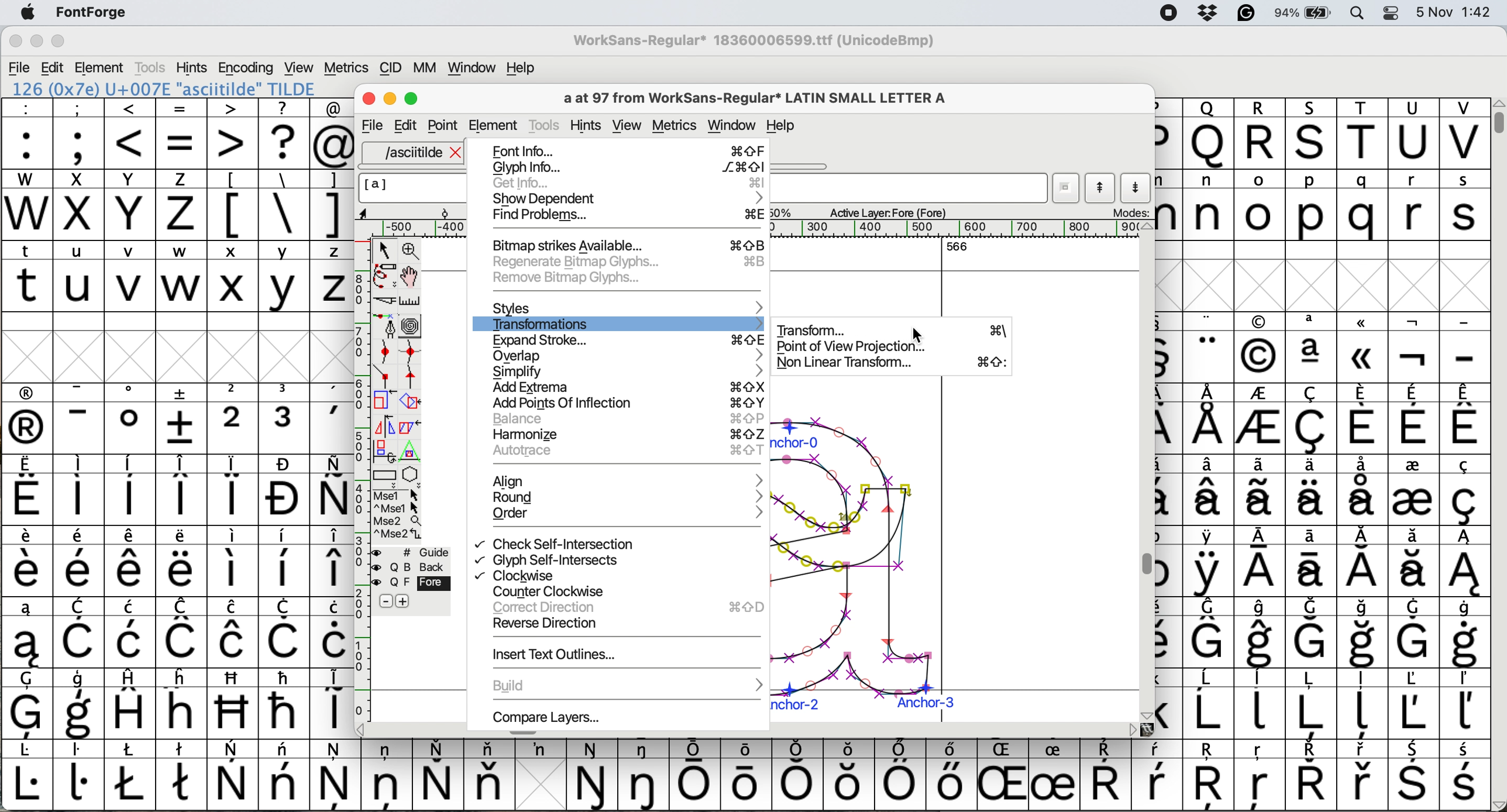  I want to click on @, so click(333, 134).